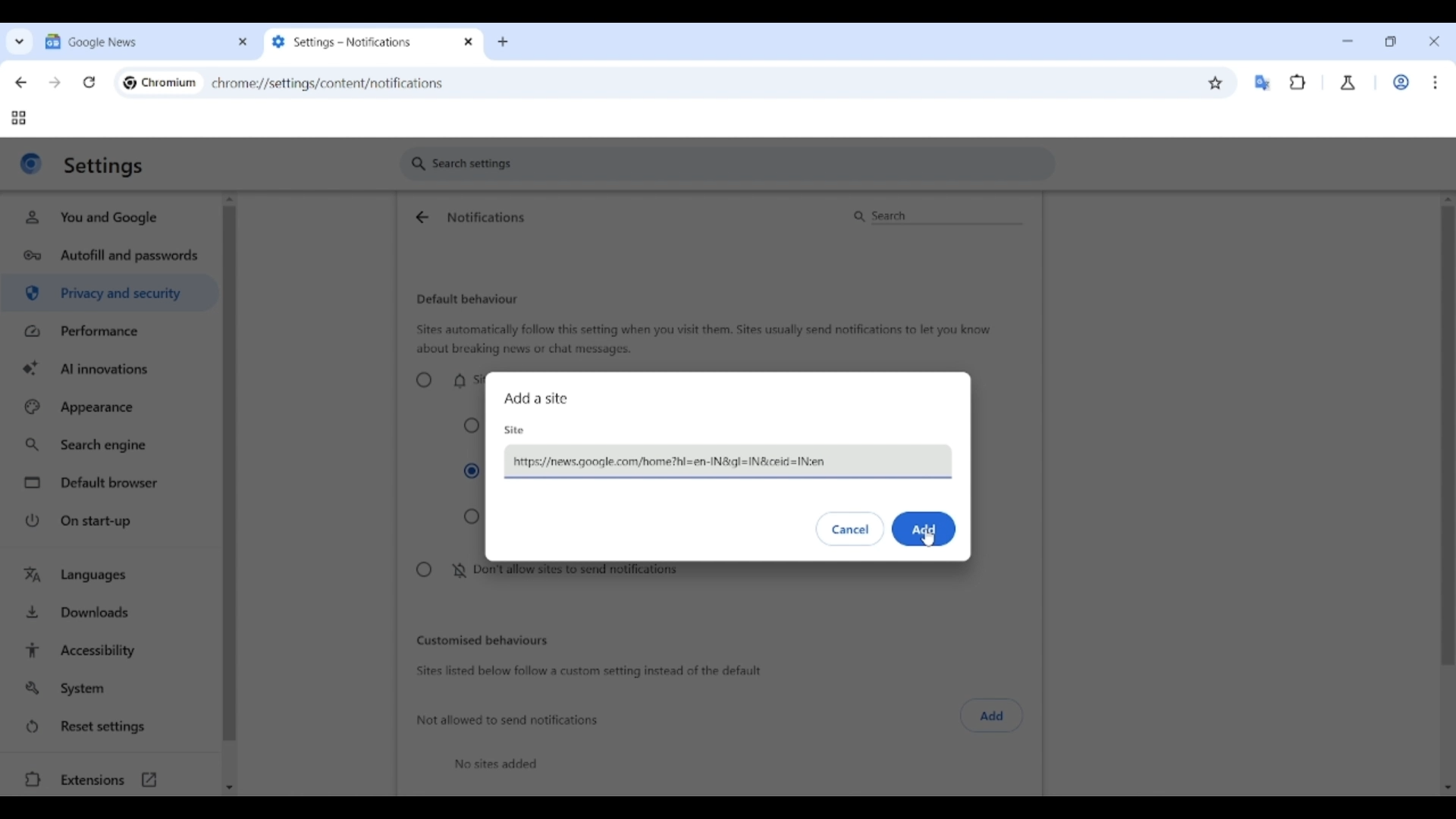  I want to click on Quick slide to bottom, so click(1448, 788).